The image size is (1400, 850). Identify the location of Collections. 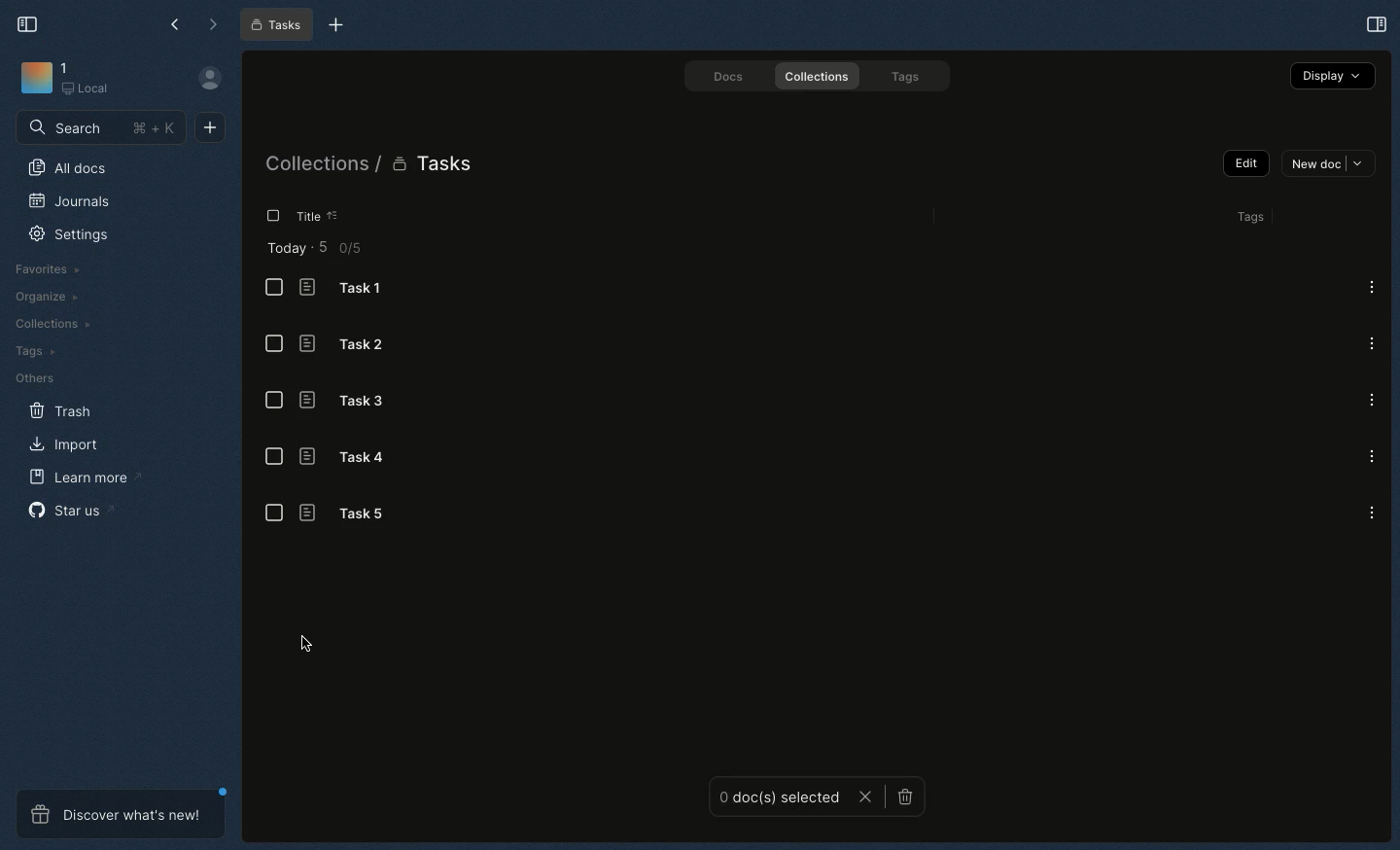
(820, 77).